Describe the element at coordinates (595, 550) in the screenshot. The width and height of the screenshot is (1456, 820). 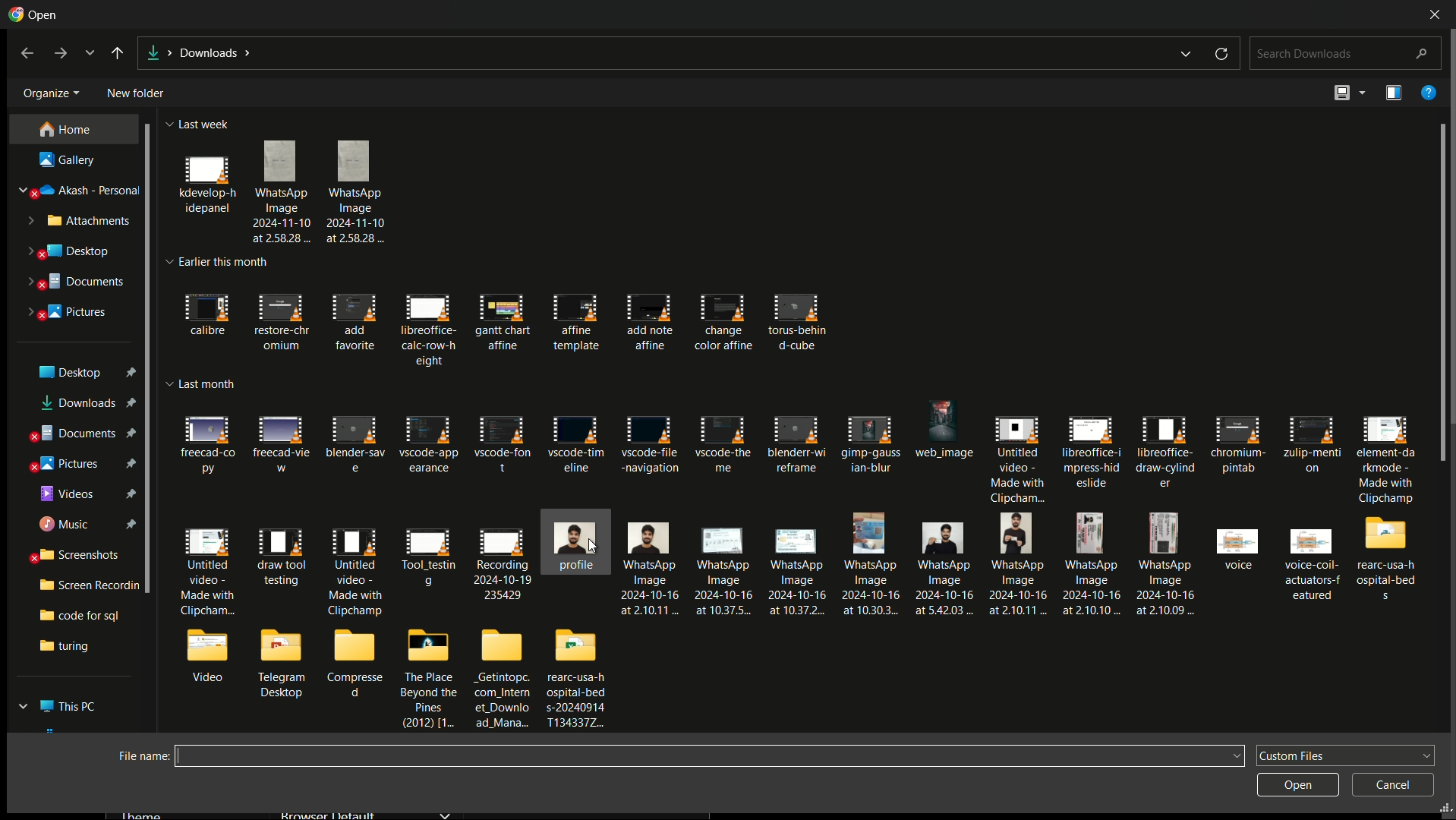
I see `cursor` at that location.